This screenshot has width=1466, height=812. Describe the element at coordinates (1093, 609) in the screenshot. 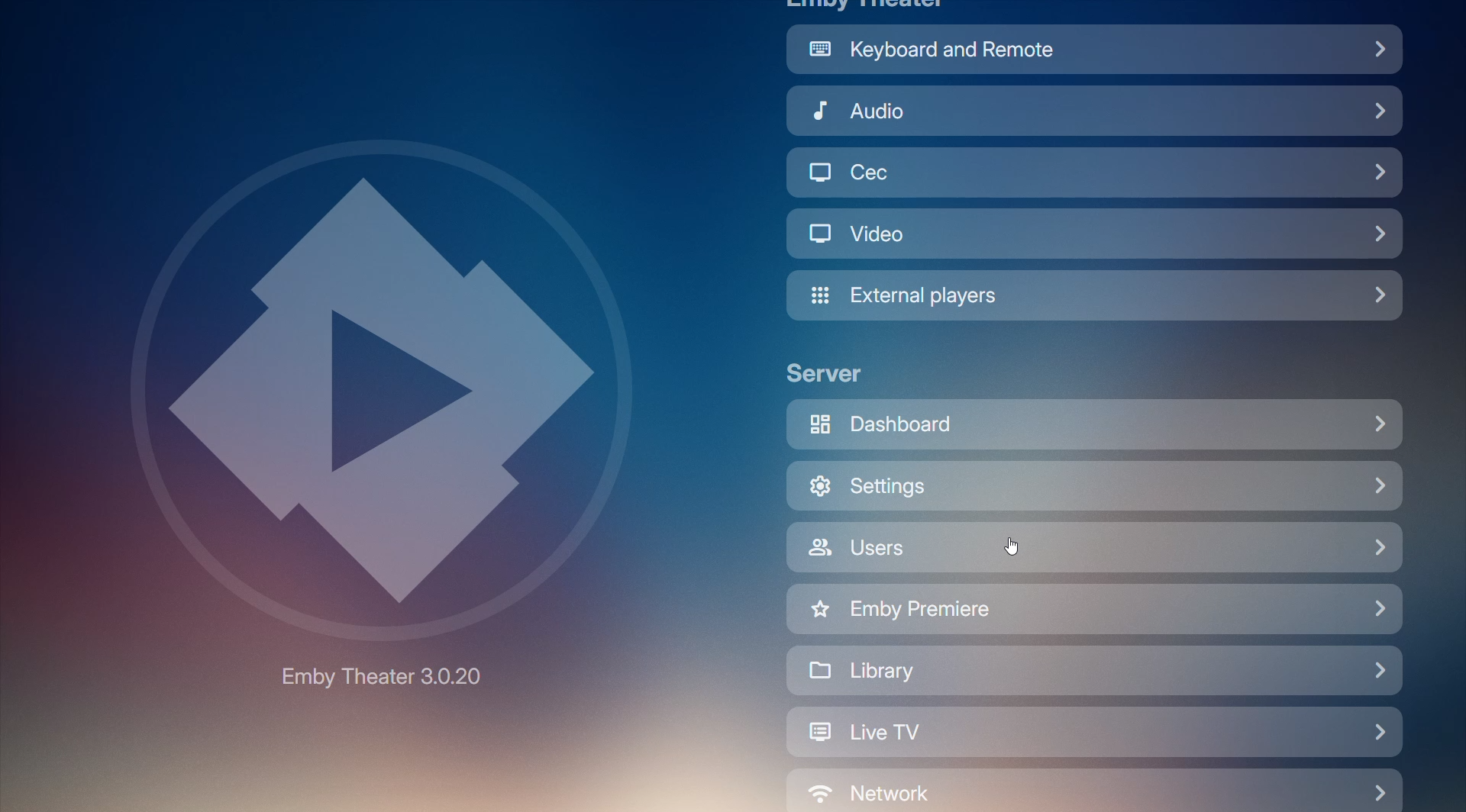

I see `Emby Premiere` at that location.